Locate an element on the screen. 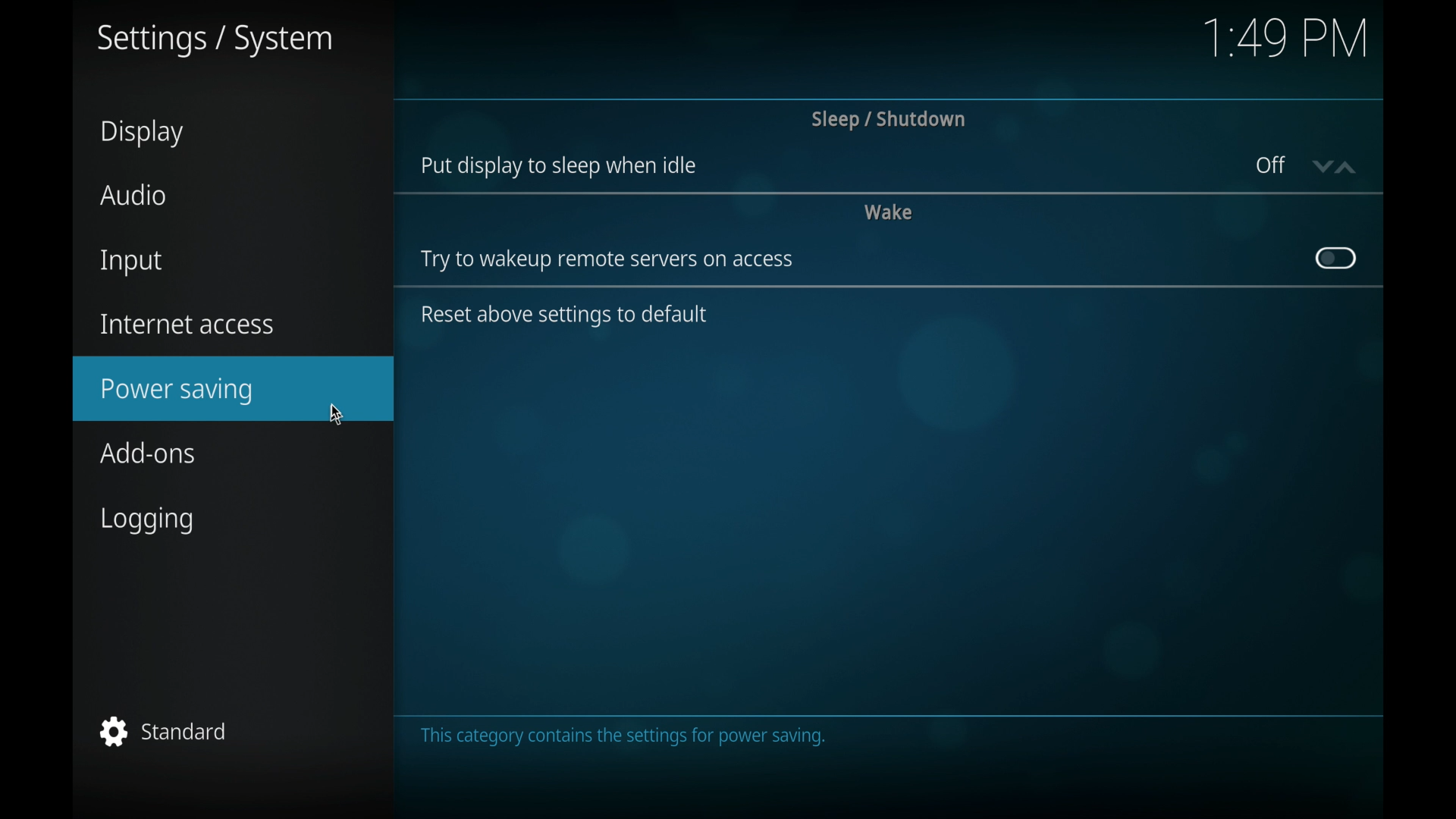  info is located at coordinates (623, 737).